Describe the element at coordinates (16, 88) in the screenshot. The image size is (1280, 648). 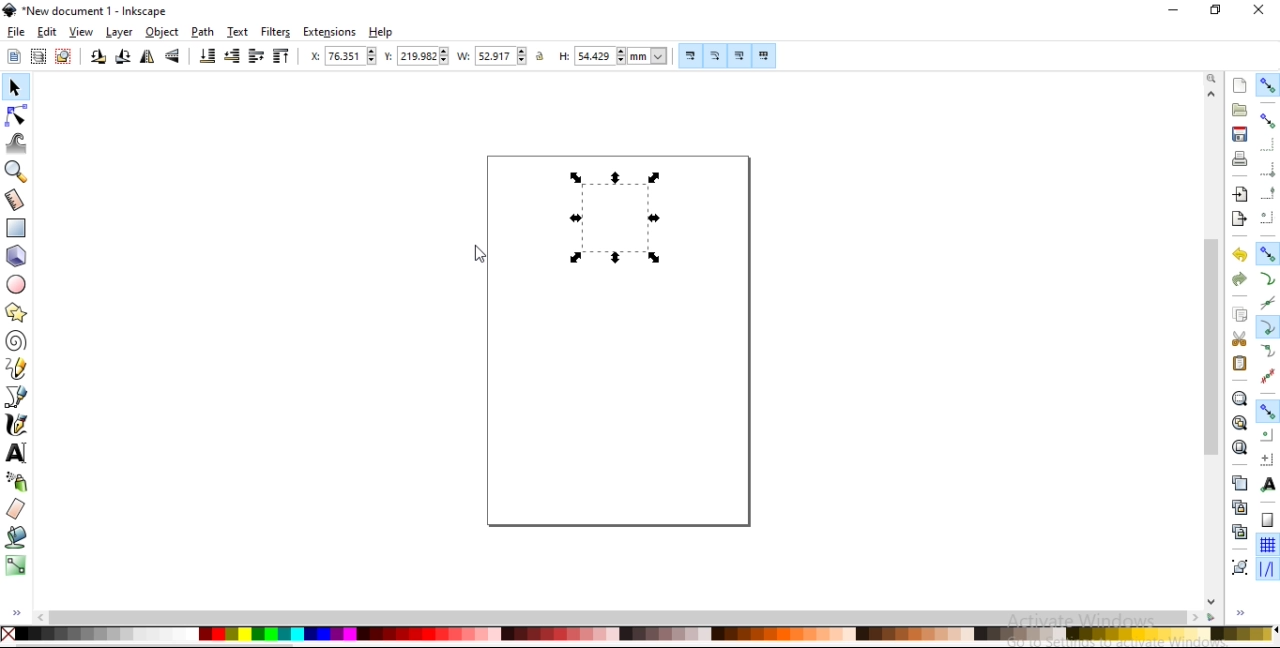
I see `select and transform objects` at that location.